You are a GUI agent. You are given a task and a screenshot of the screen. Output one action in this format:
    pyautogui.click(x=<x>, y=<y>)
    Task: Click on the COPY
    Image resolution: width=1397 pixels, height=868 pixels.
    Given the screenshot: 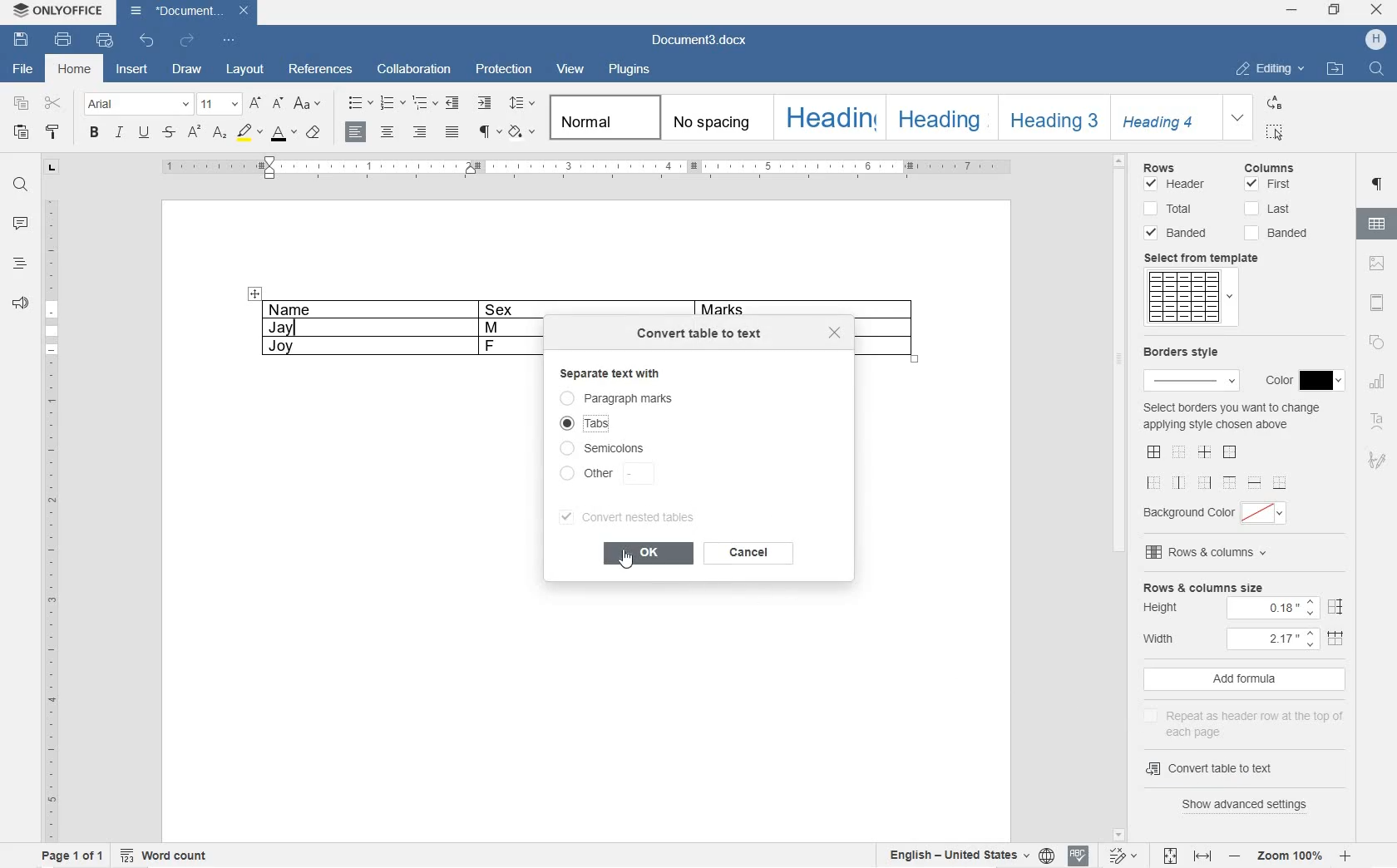 What is the action you would take?
    pyautogui.click(x=21, y=104)
    